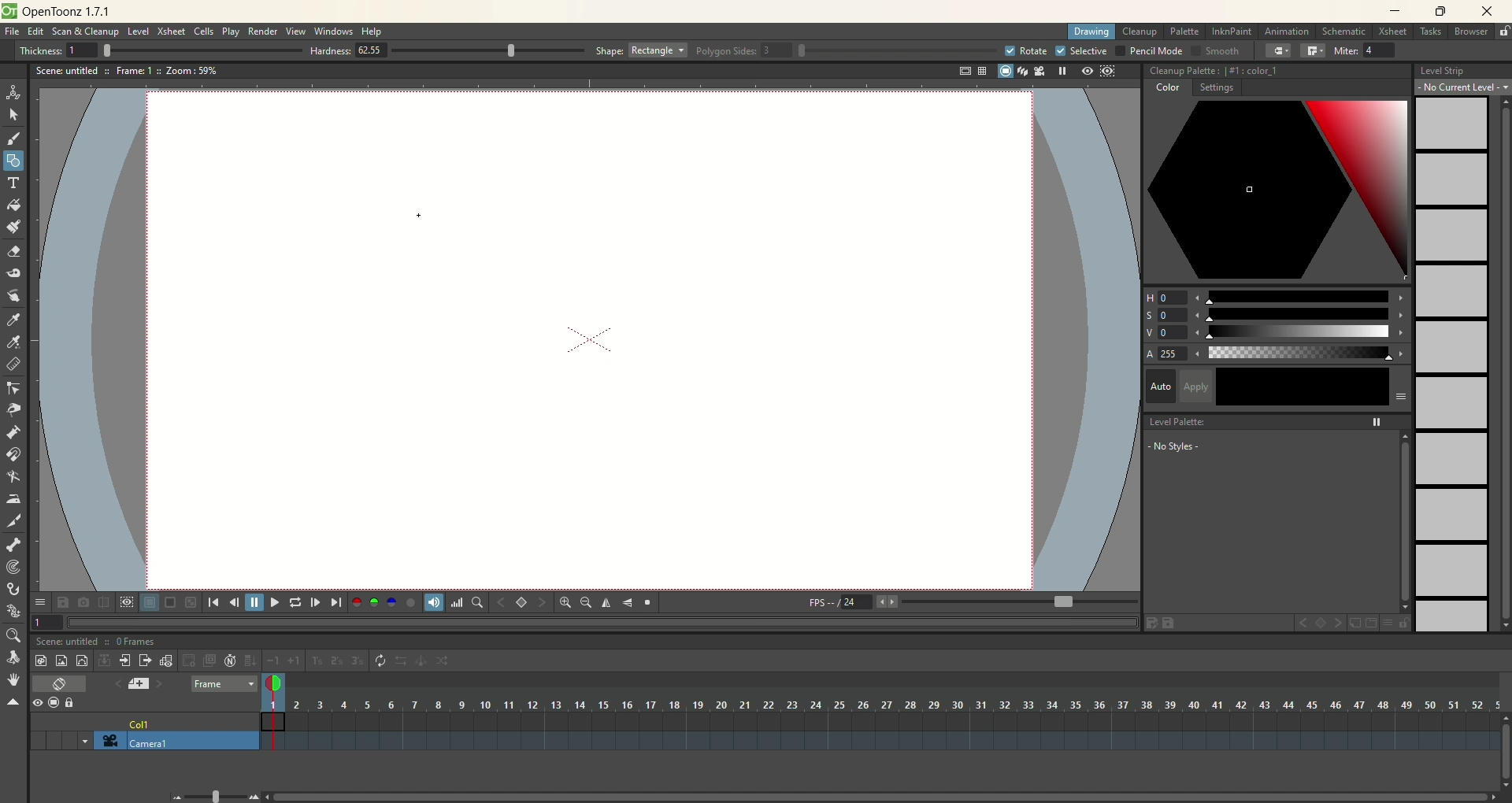 The height and width of the screenshot is (803, 1512). What do you see at coordinates (79, 740) in the screenshot?
I see `camera1` at bounding box center [79, 740].